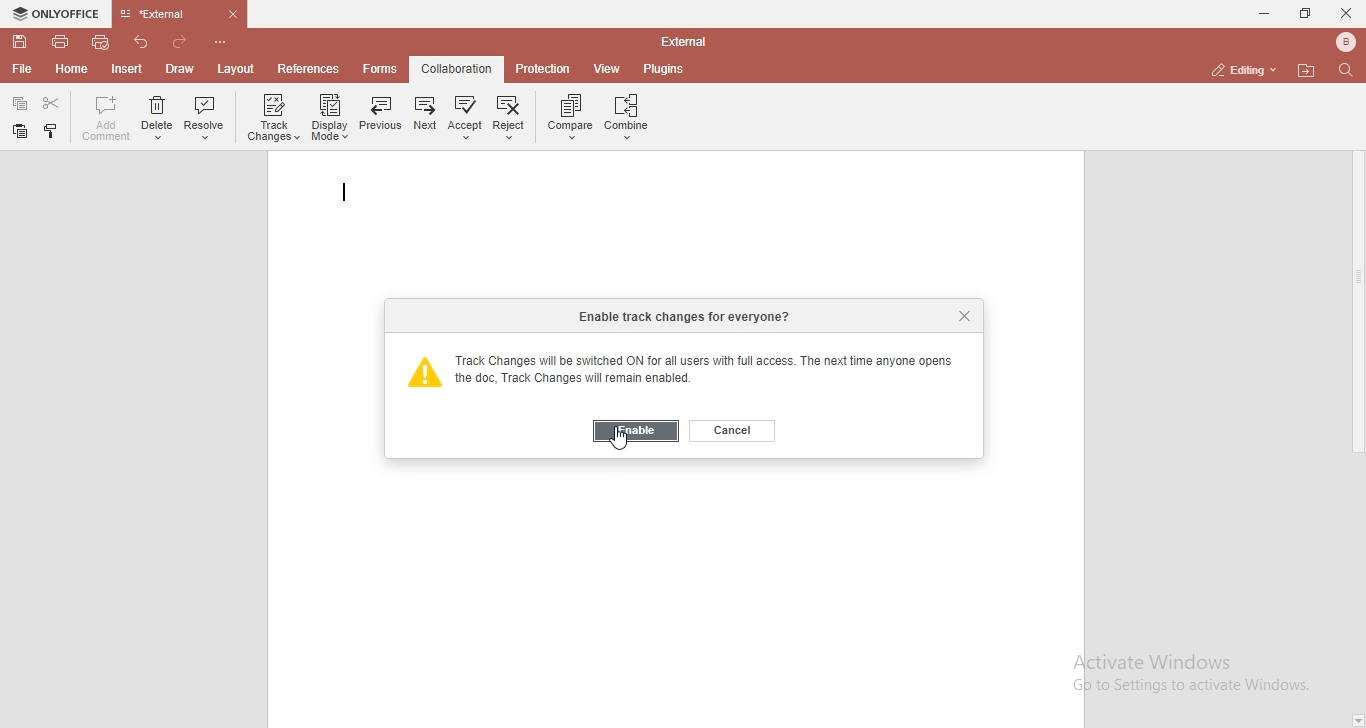  Describe the element at coordinates (275, 119) in the screenshot. I see `track chnages` at that location.